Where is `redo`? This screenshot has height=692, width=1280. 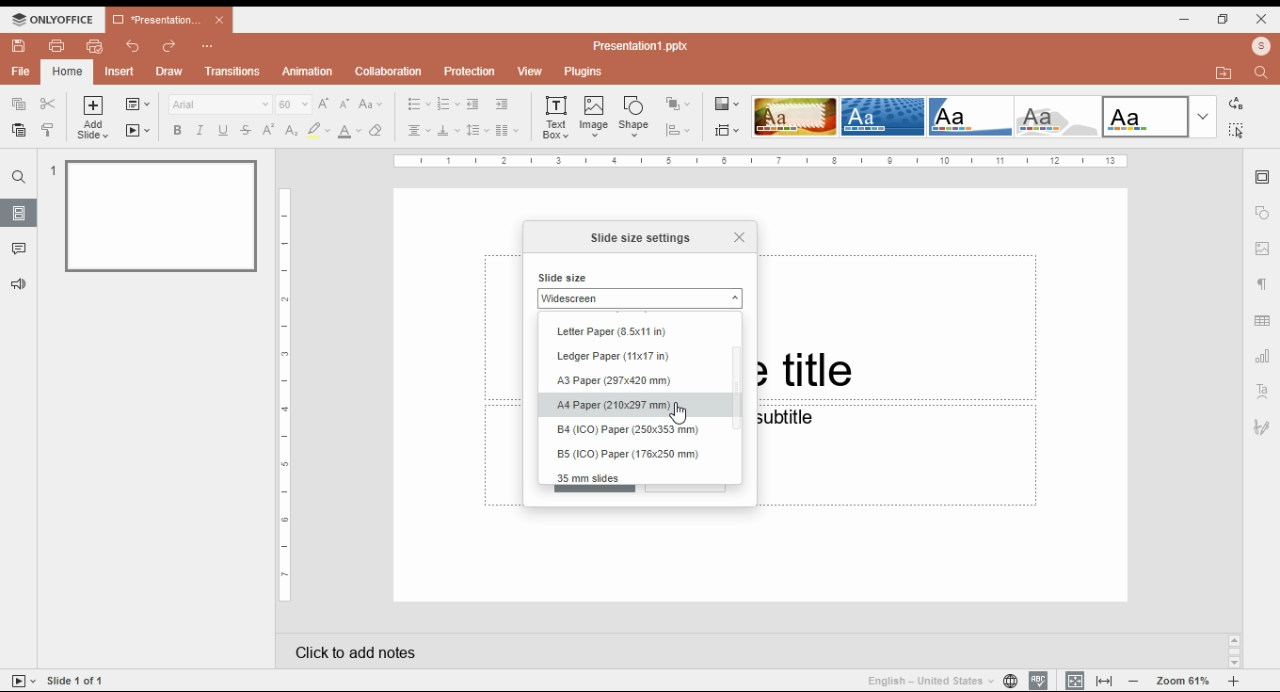
redo is located at coordinates (170, 47).